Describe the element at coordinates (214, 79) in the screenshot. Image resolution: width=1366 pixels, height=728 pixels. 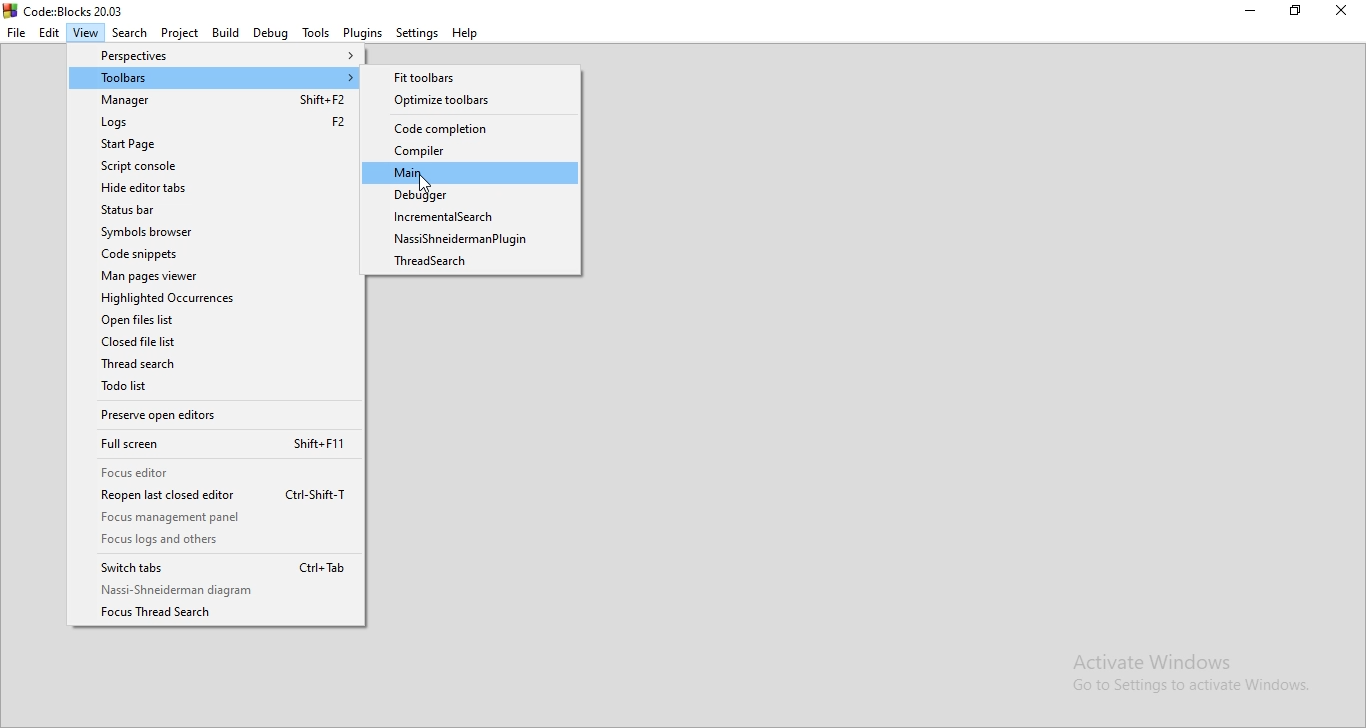
I see `Toolbars` at that location.